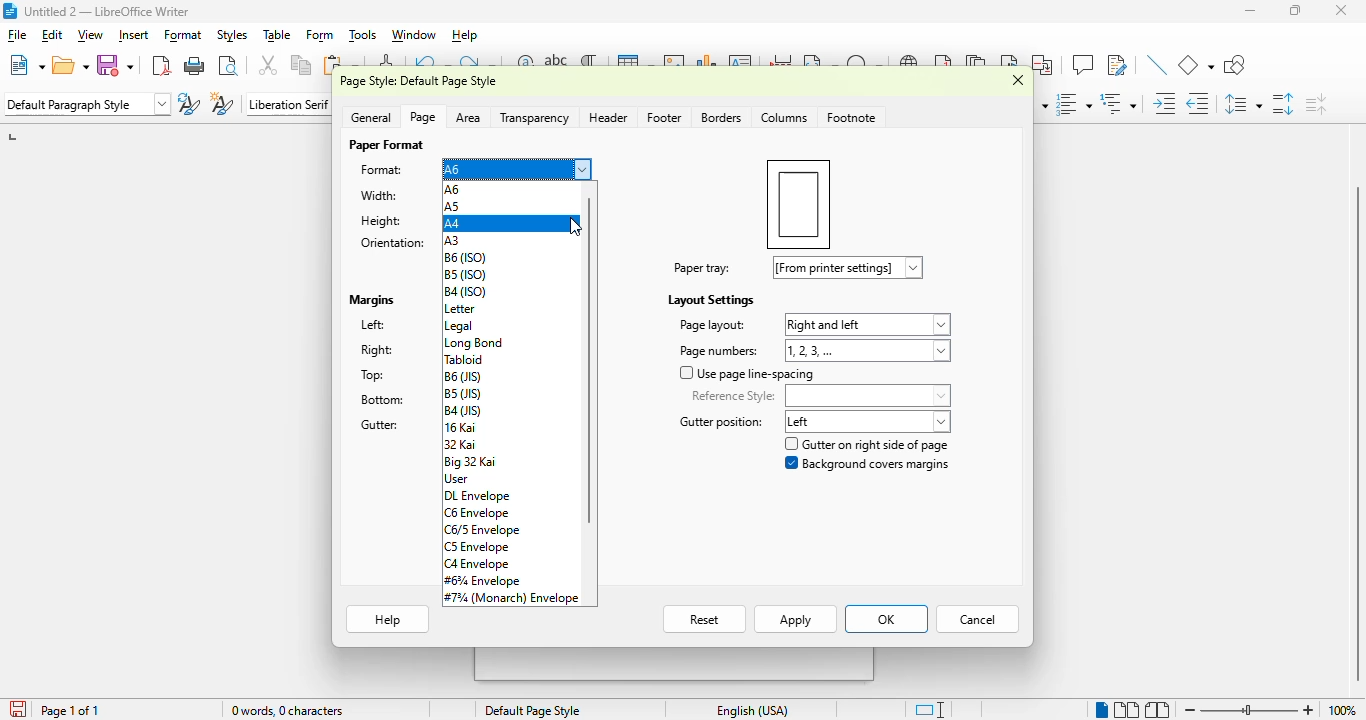  Describe the element at coordinates (372, 300) in the screenshot. I see `margins` at that location.